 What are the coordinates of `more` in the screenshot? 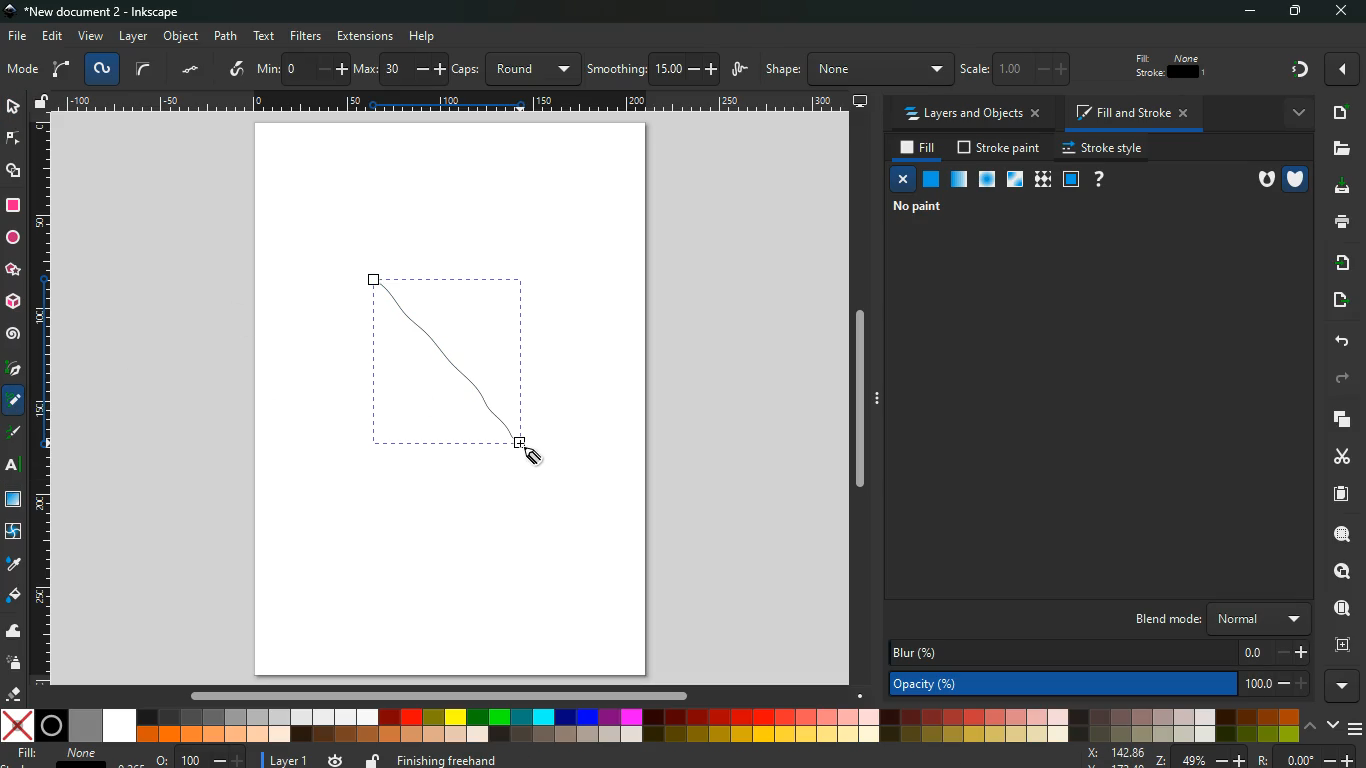 It's located at (1300, 116).